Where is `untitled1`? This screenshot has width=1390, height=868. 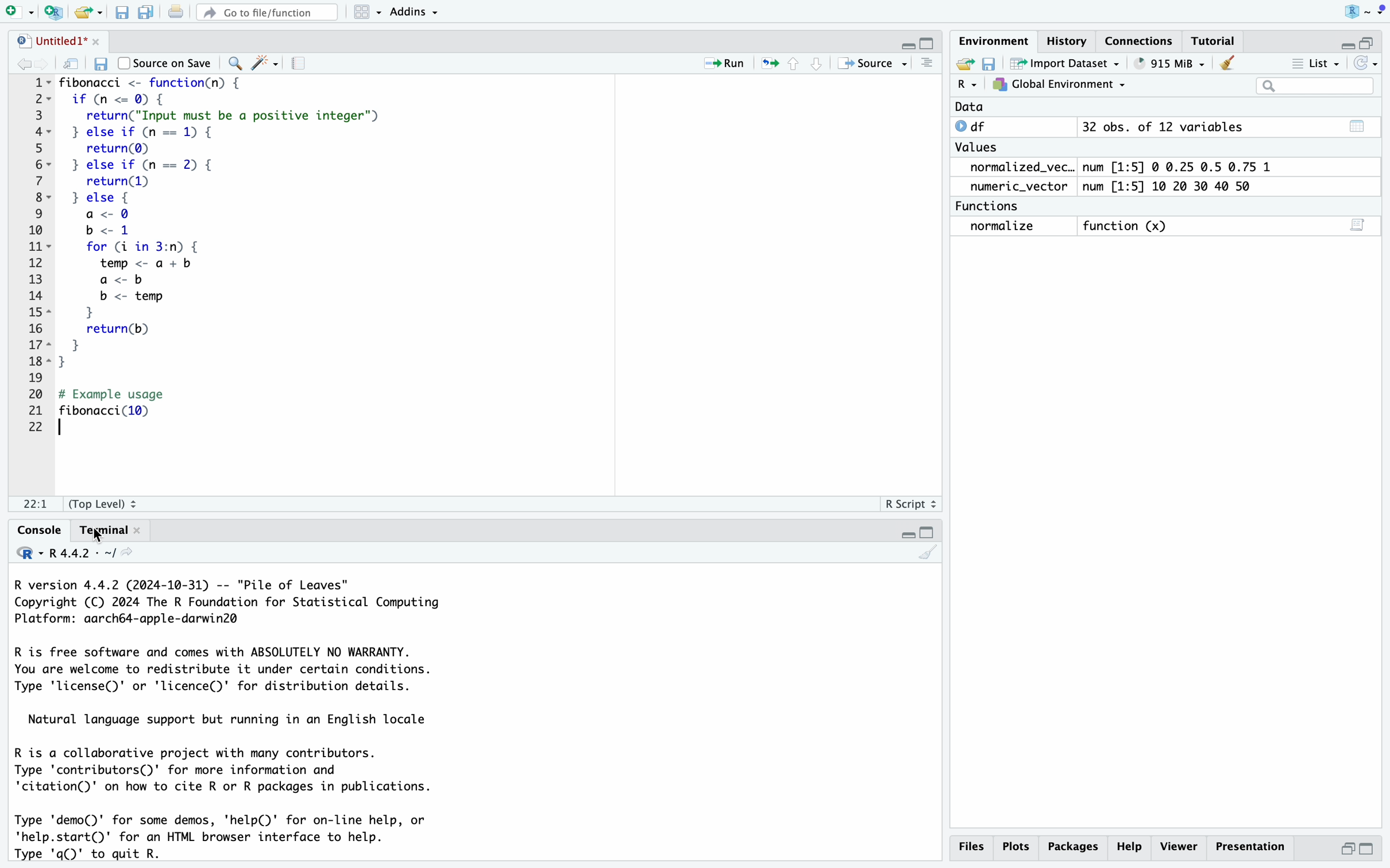 untitled1 is located at coordinates (51, 41).